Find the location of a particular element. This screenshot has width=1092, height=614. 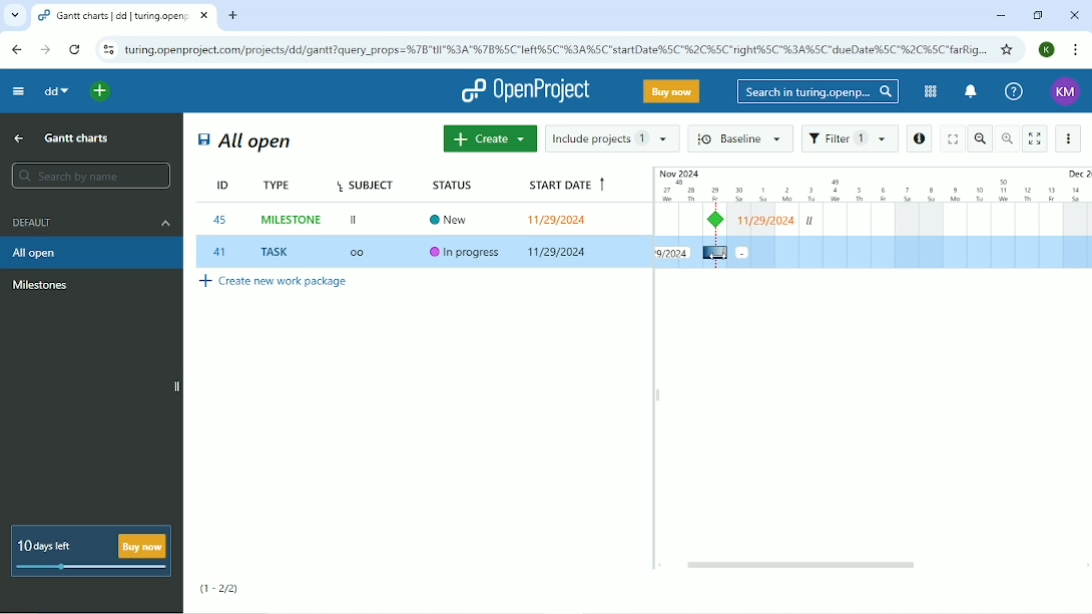

In progress is located at coordinates (466, 253).